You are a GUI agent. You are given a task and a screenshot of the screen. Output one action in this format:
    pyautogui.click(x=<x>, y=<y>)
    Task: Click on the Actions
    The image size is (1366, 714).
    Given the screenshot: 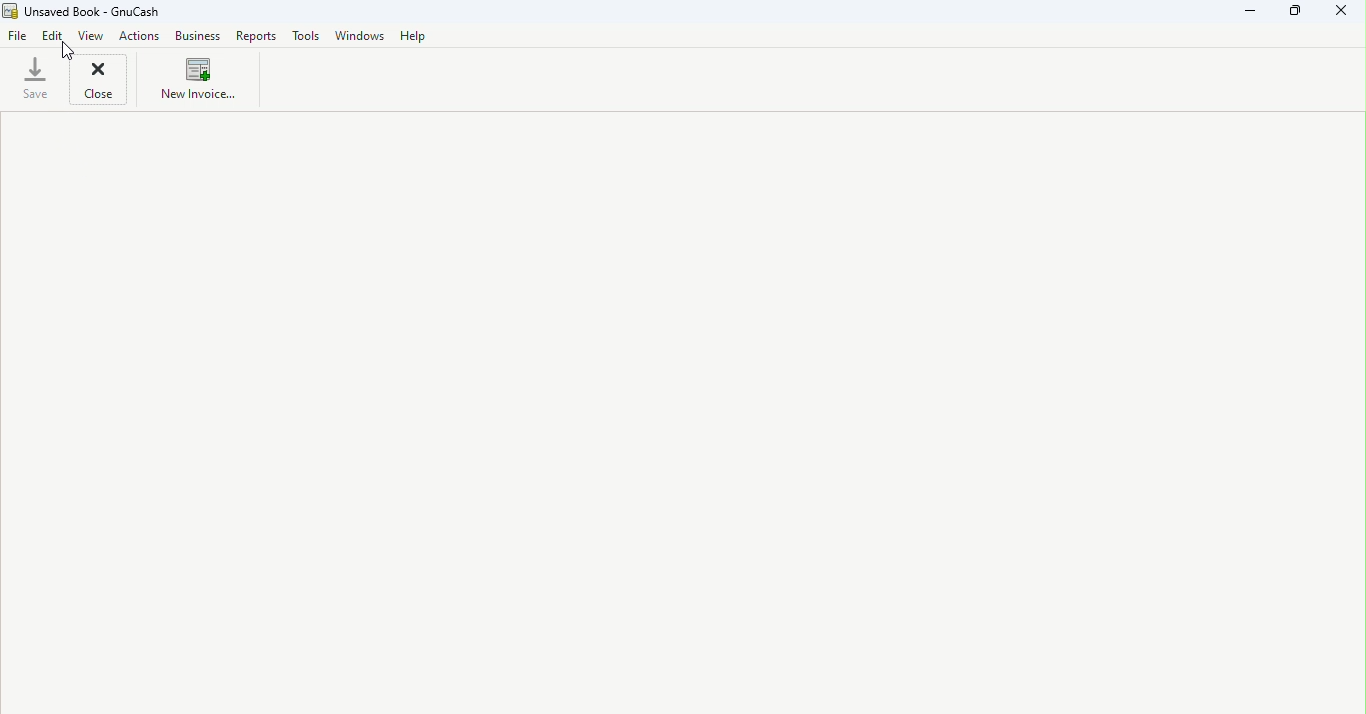 What is the action you would take?
    pyautogui.click(x=139, y=36)
    